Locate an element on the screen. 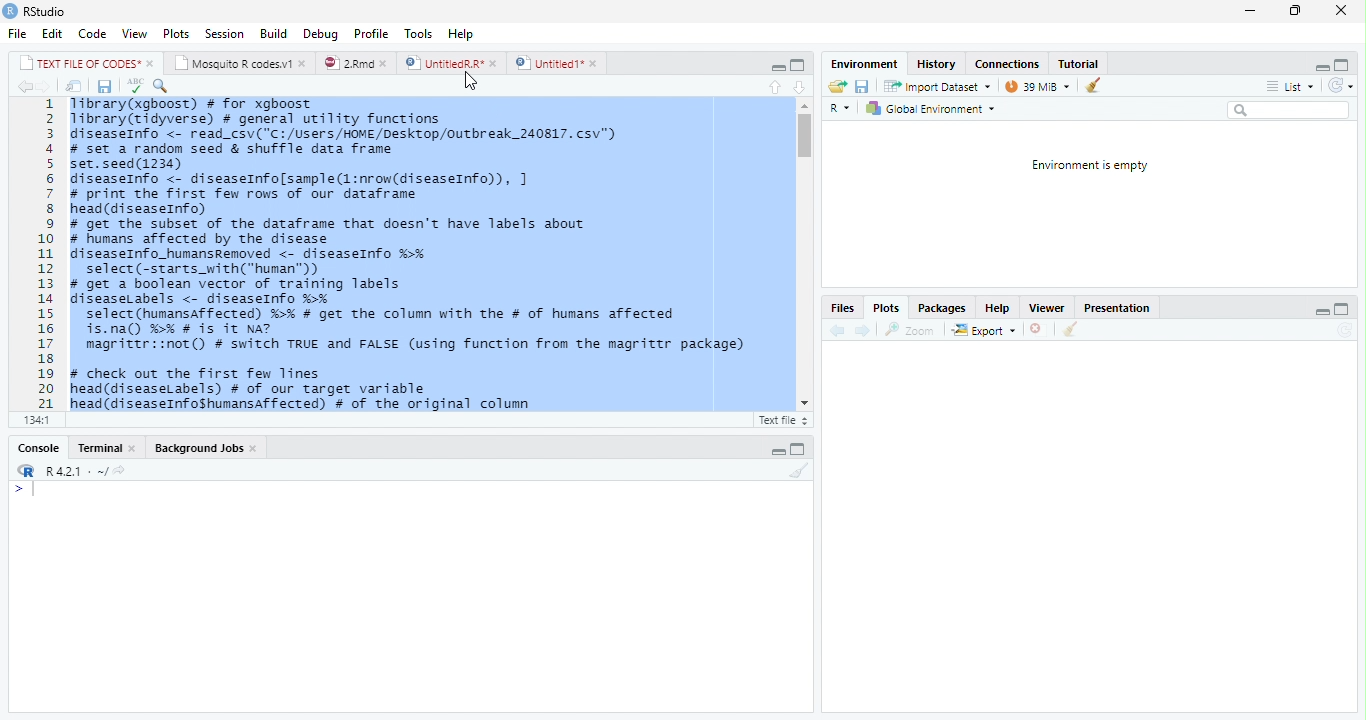 The width and height of the screenshot is (1366, 720). R is located at coordinates (24, 470).